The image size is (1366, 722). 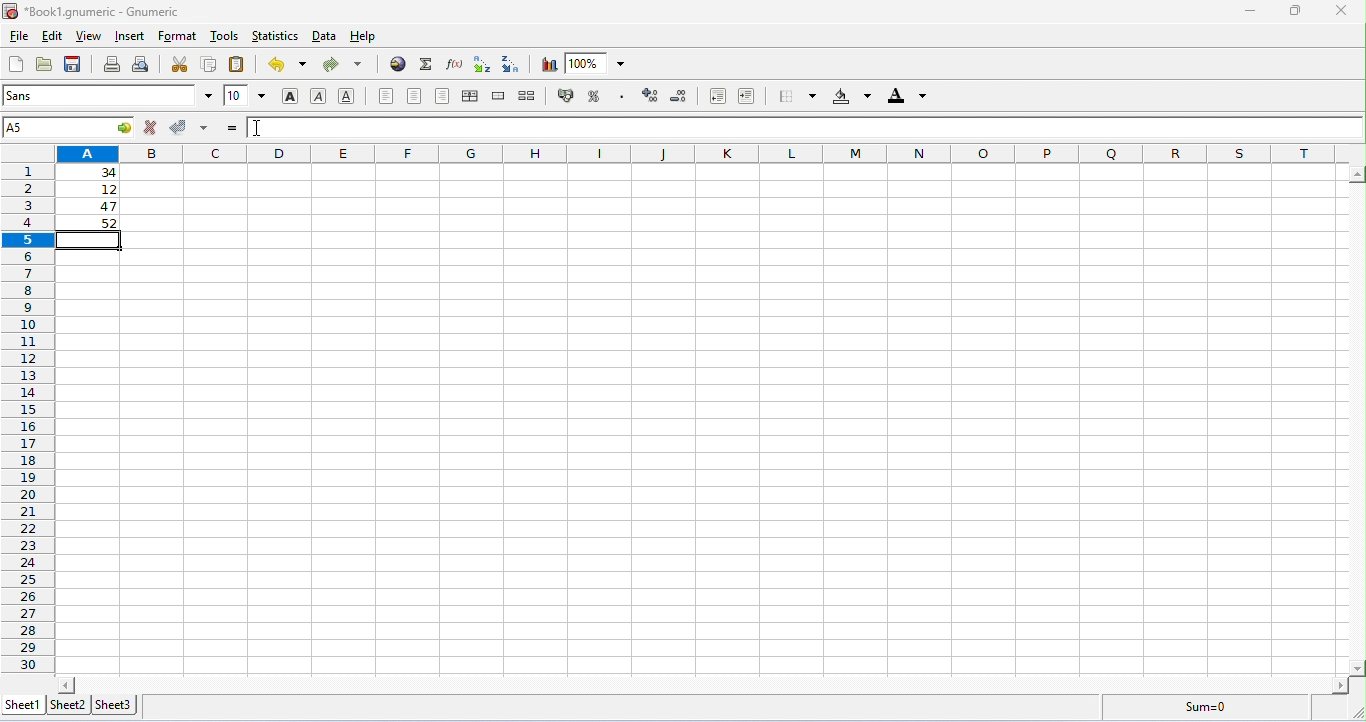 What do you see at coordinates (25, 705) in the screenshot?
I see `sheet1` at bounding box center [25, 705].